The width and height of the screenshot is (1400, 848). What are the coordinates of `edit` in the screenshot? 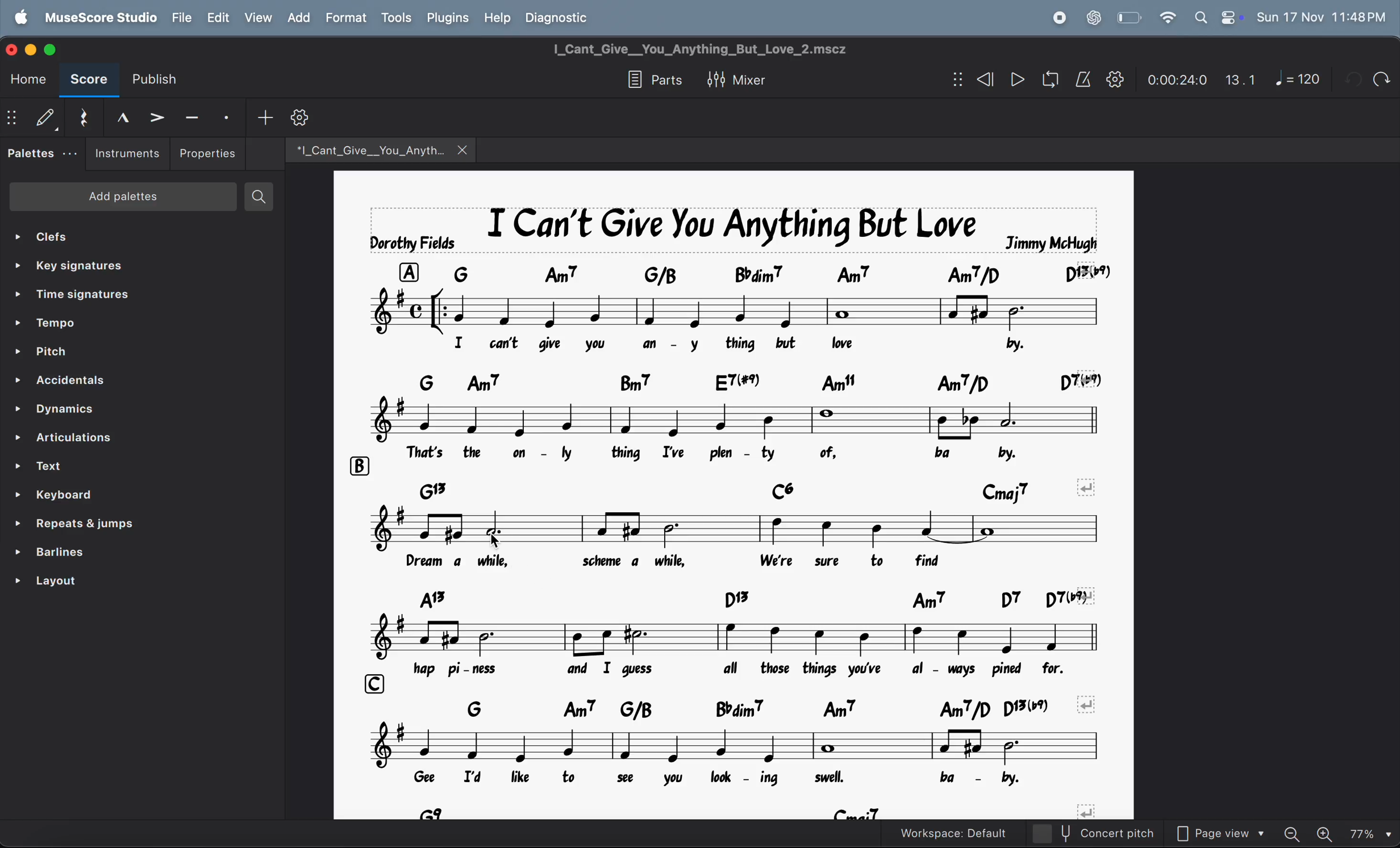 It's located at (220, 18).